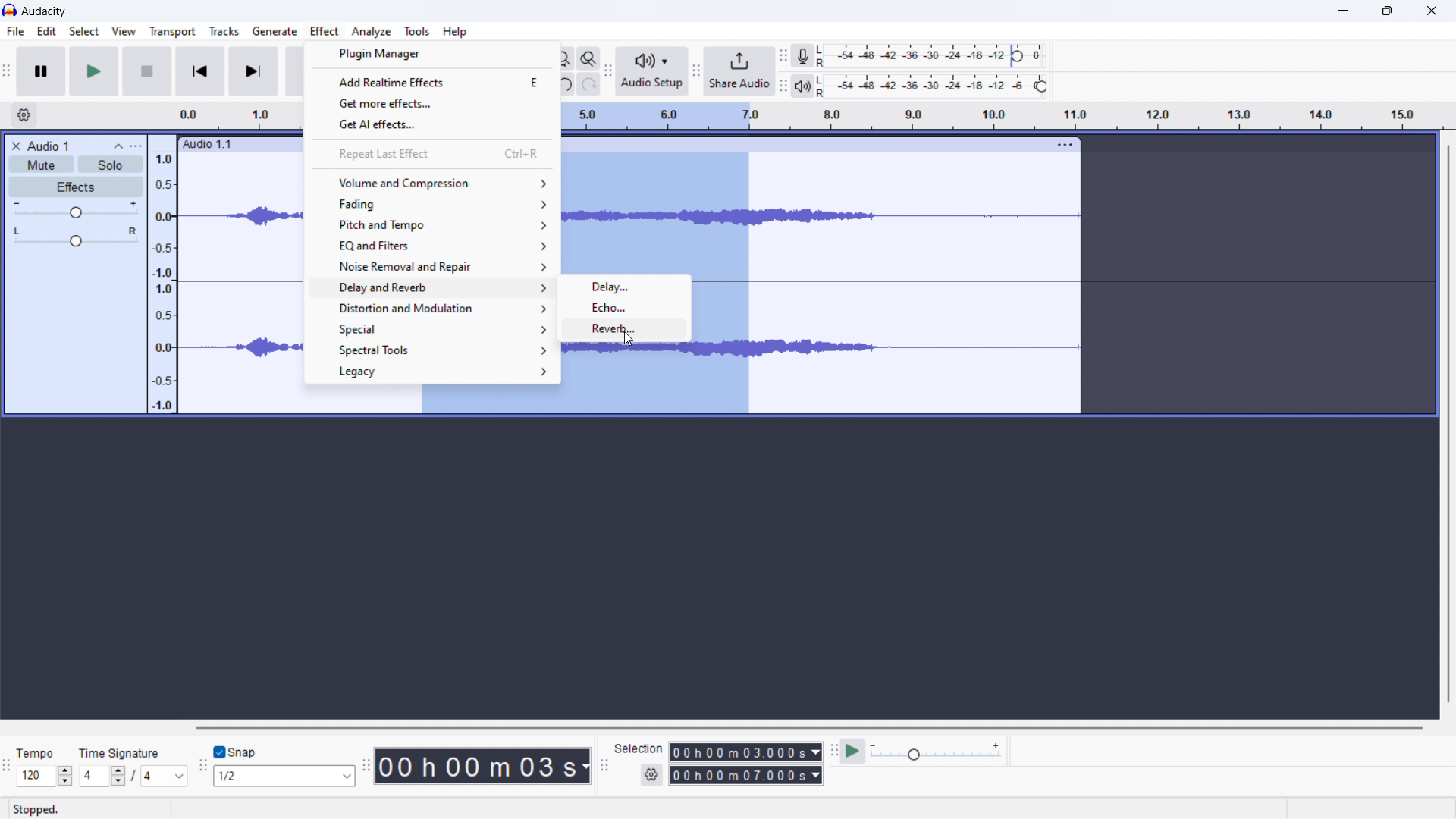 The width and height of the screenshot is (1456, 819). I want to click on more options, so click(1066, 146).